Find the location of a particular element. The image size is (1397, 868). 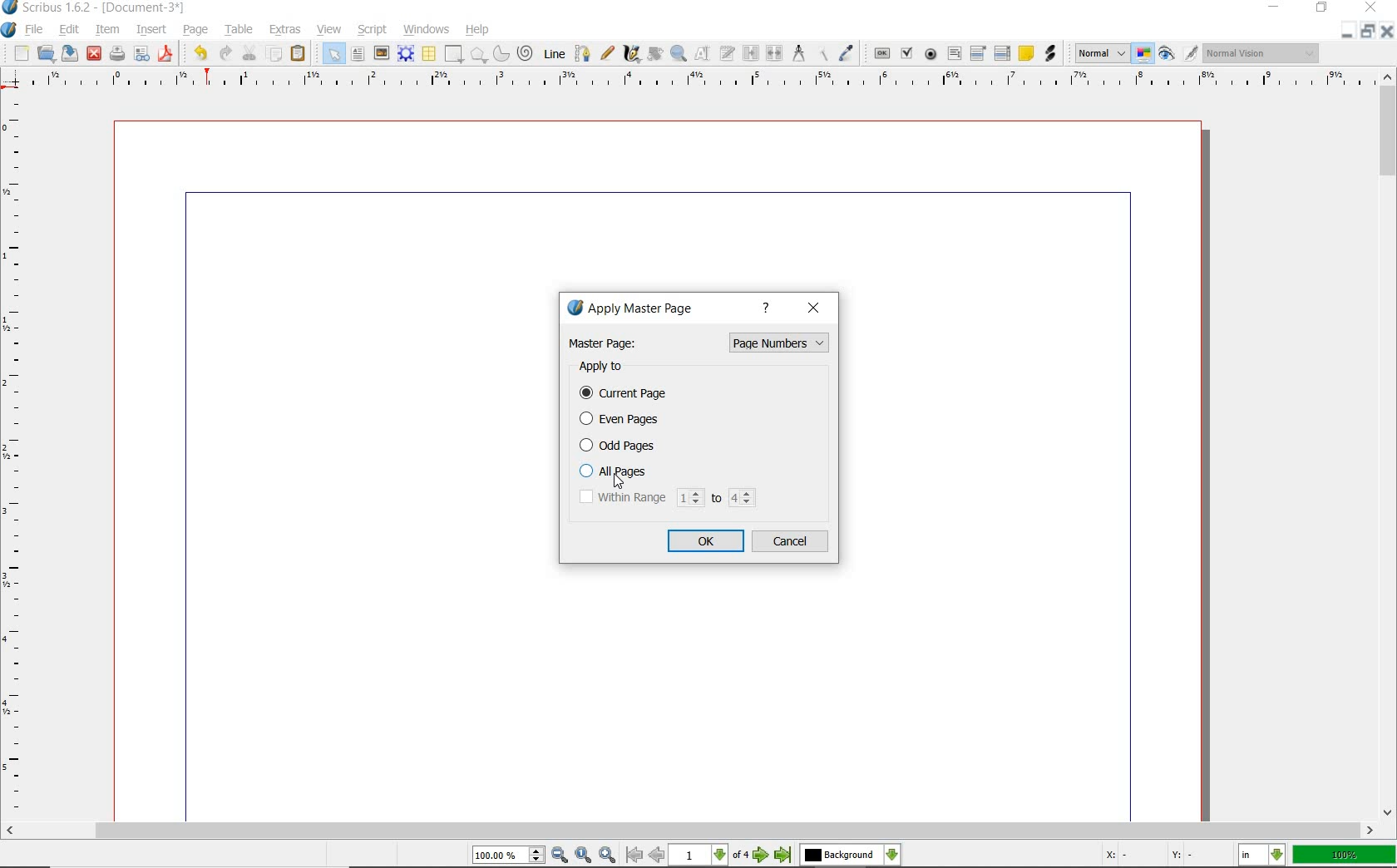

apply master page is located at coordinates (635, 310).